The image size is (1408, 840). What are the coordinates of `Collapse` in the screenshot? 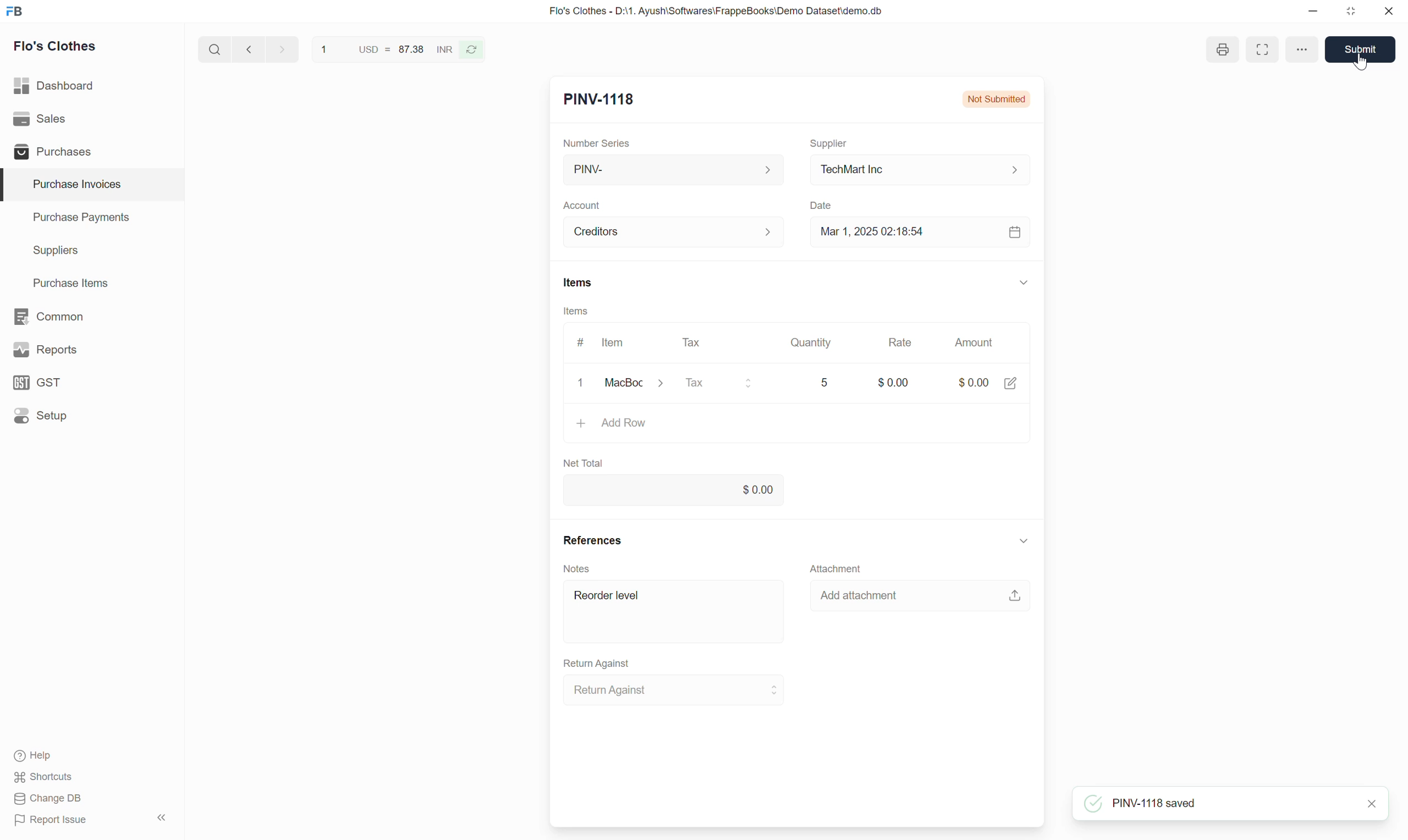 It's located at (1024, 541).